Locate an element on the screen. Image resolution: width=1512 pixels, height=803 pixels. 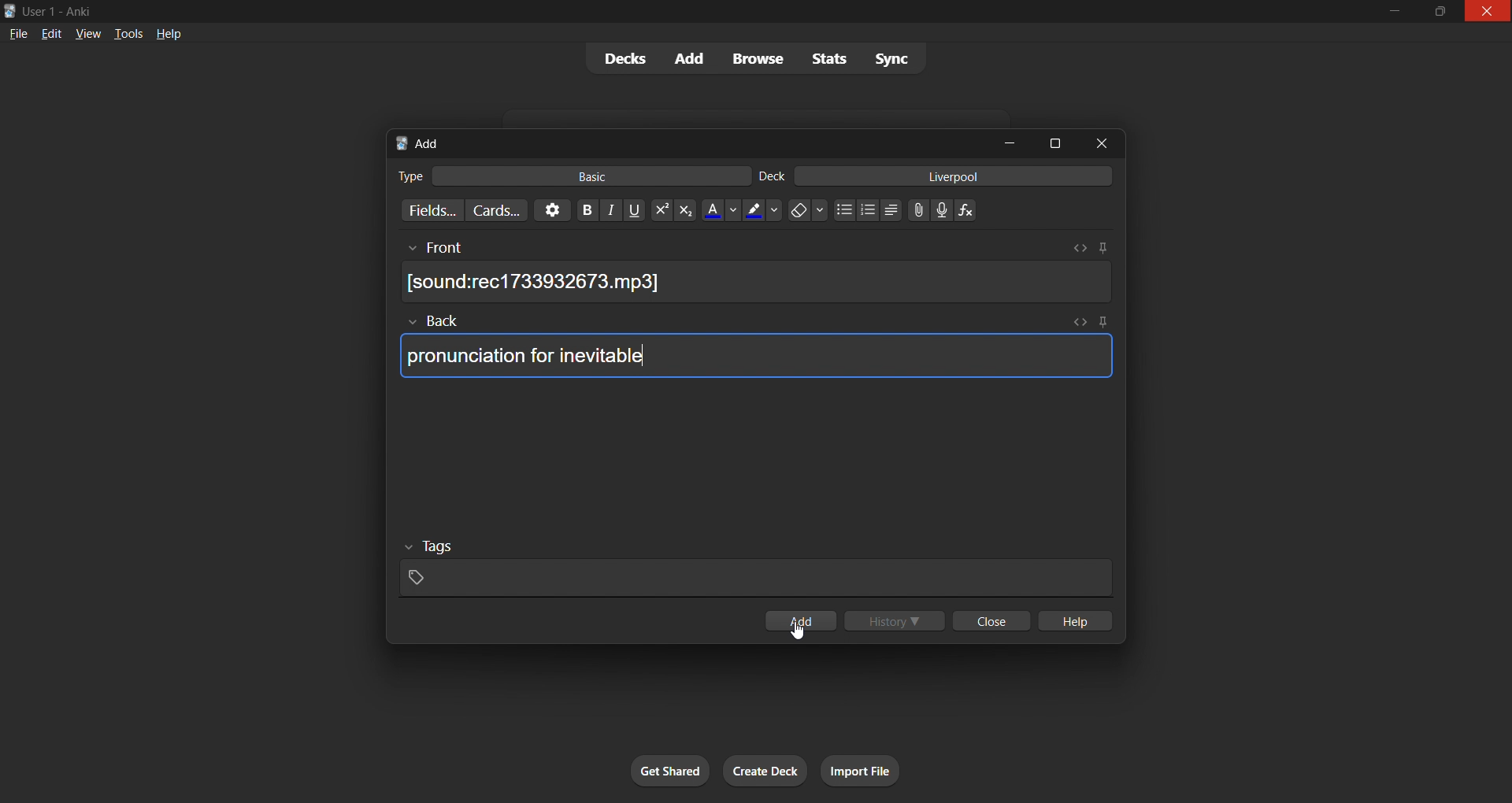
add is located at coordinates (691, 57).